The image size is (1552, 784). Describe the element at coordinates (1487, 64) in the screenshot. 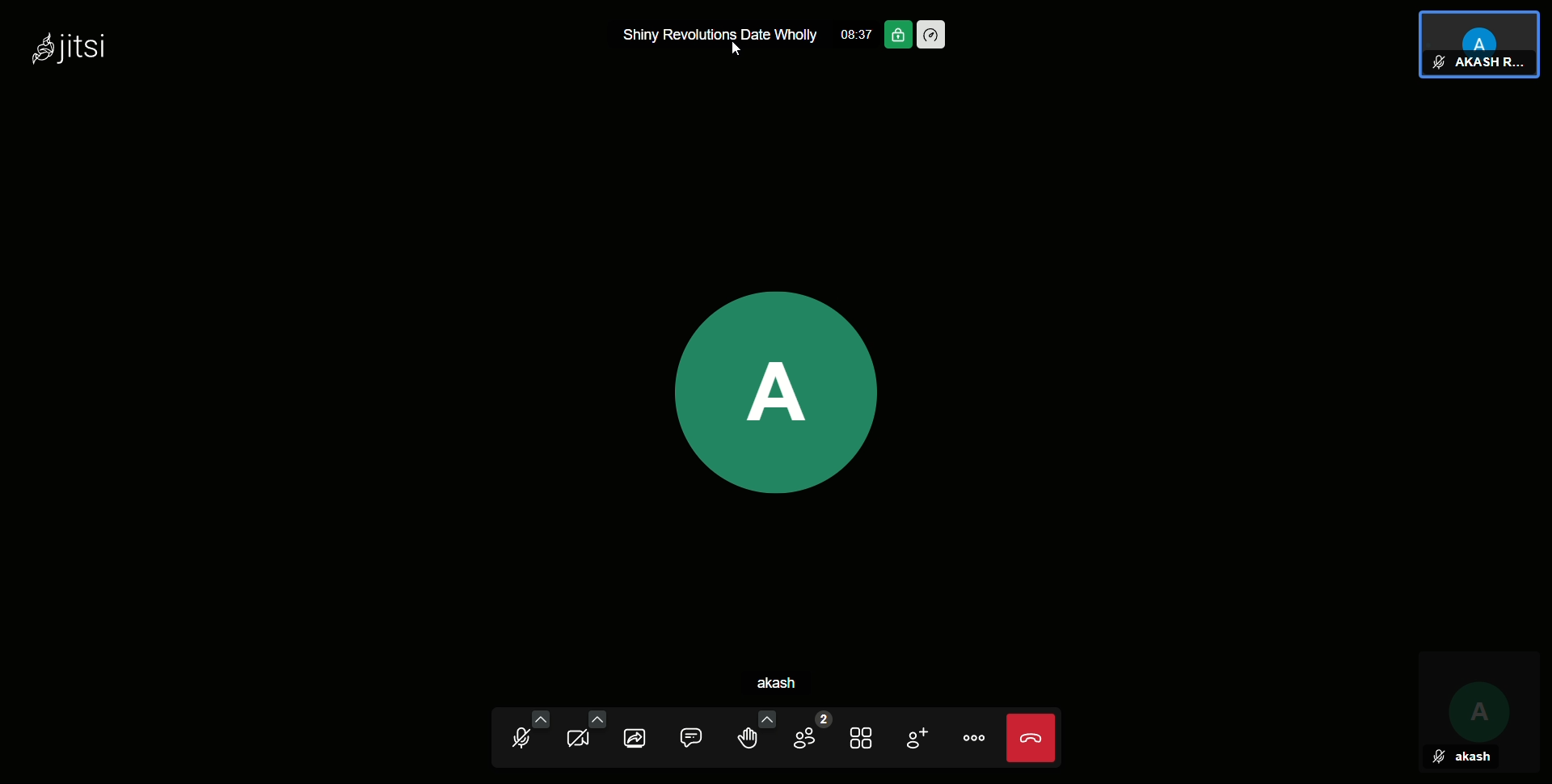

I see `participant name` at that location.